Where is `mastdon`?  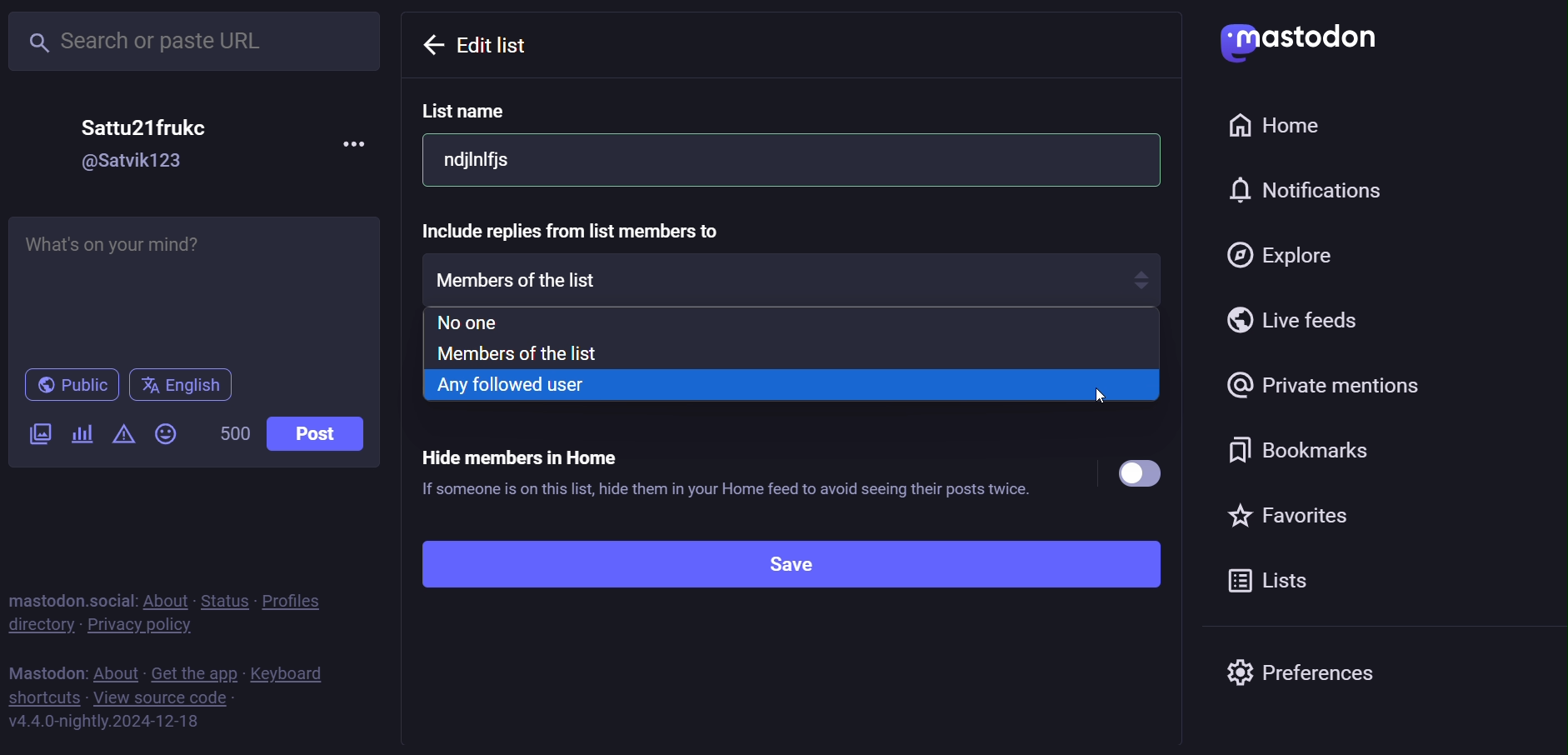 mastdon is located at coordinates (1305, 39).